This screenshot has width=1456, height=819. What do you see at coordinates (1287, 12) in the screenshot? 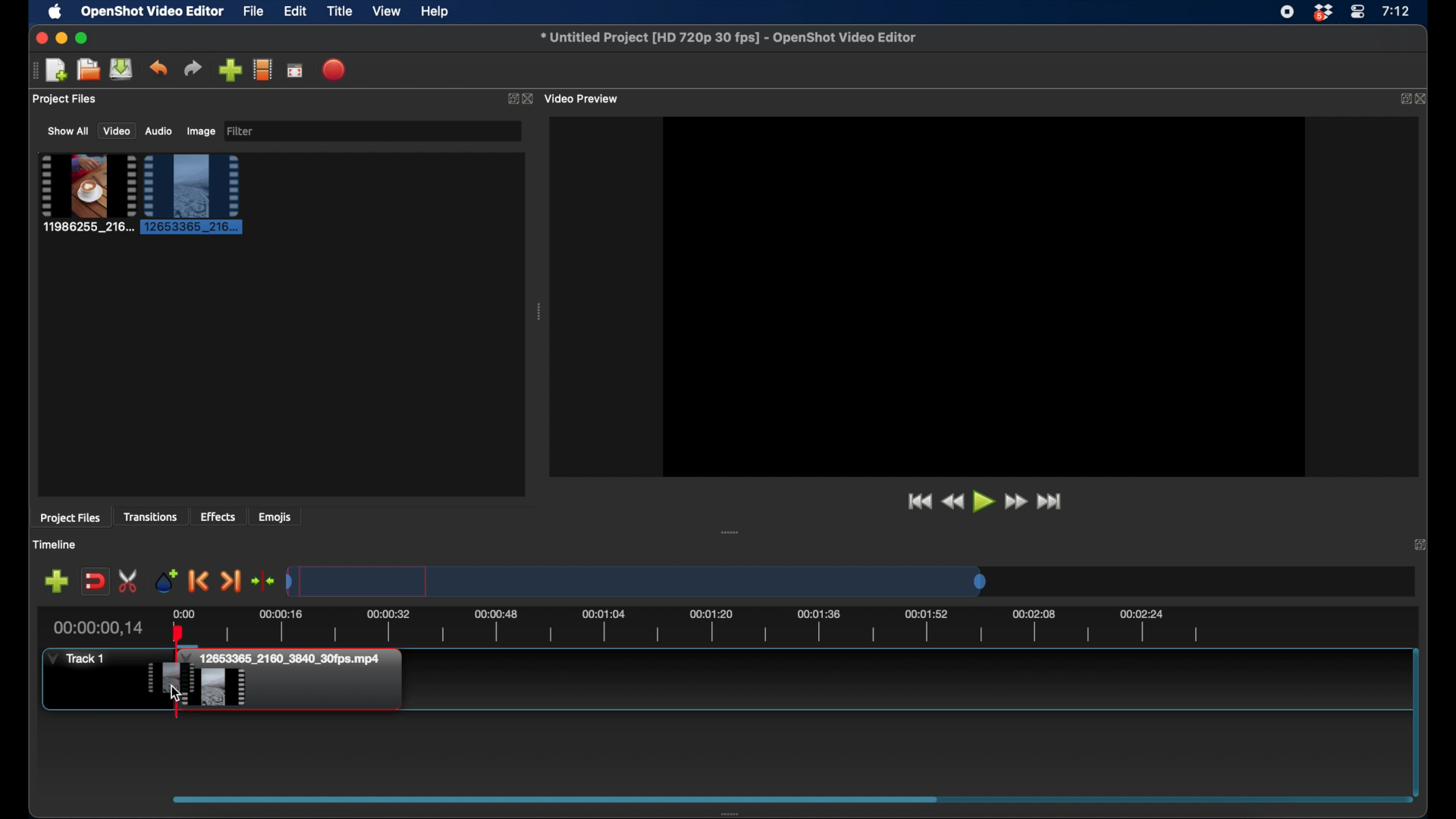
I see `screen recorder icon` at bounding box center [1287, 12].